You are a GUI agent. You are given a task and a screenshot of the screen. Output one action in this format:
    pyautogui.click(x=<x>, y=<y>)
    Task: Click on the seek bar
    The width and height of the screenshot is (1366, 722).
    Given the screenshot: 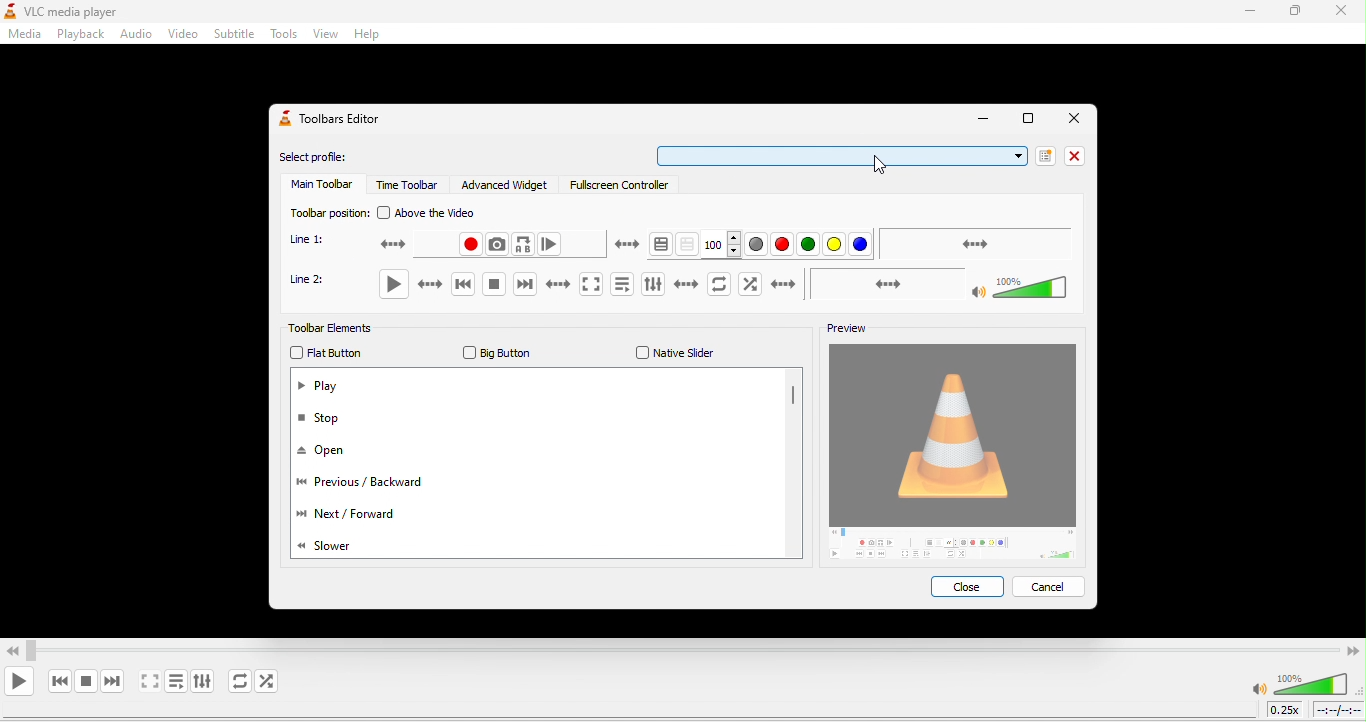 What is the action you would take?
    pyautogui.click(x=978, y=244)
    